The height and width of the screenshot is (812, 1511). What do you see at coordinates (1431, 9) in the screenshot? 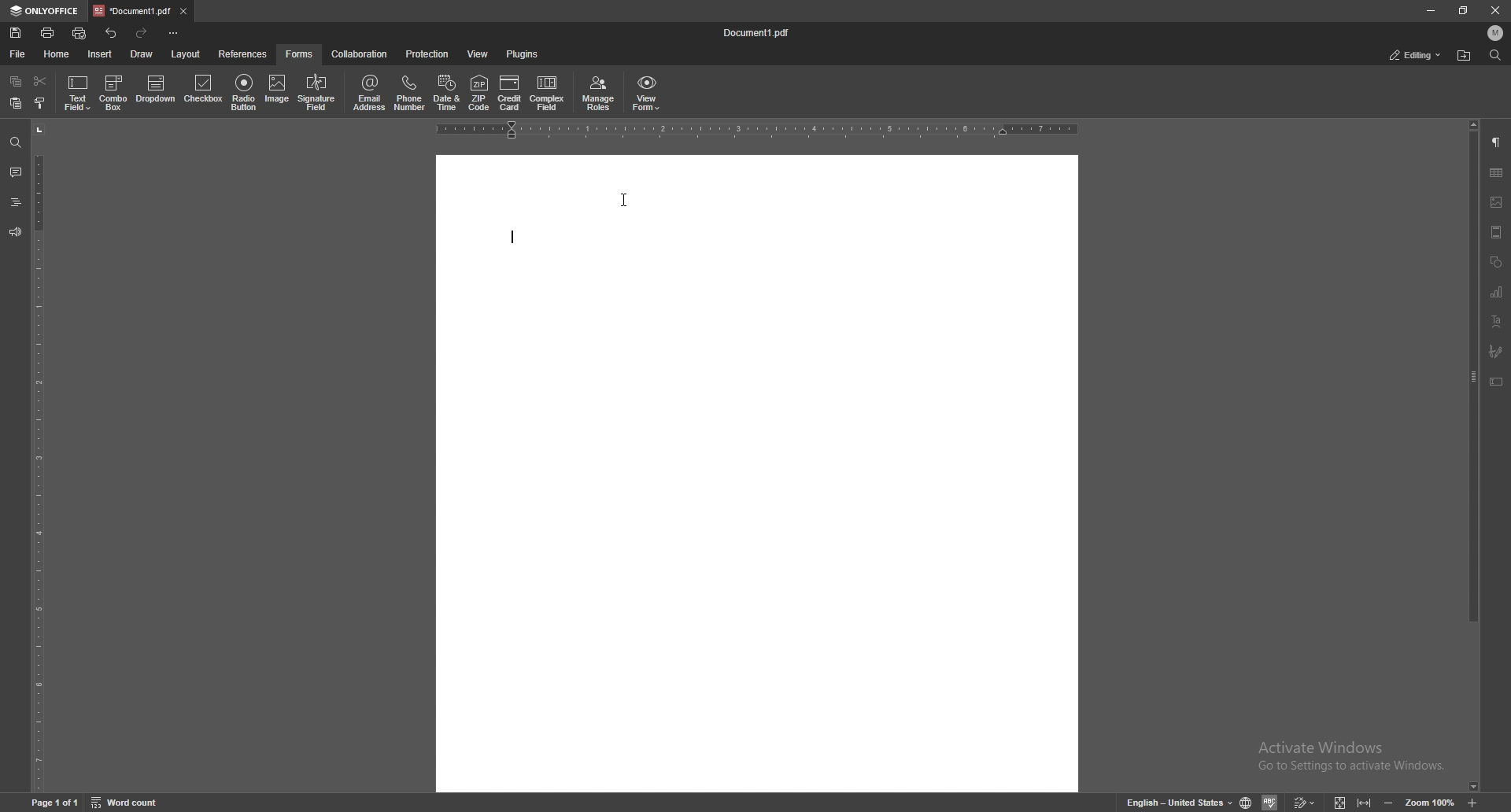
I see `minimize` at bounding box center [1431, 9].